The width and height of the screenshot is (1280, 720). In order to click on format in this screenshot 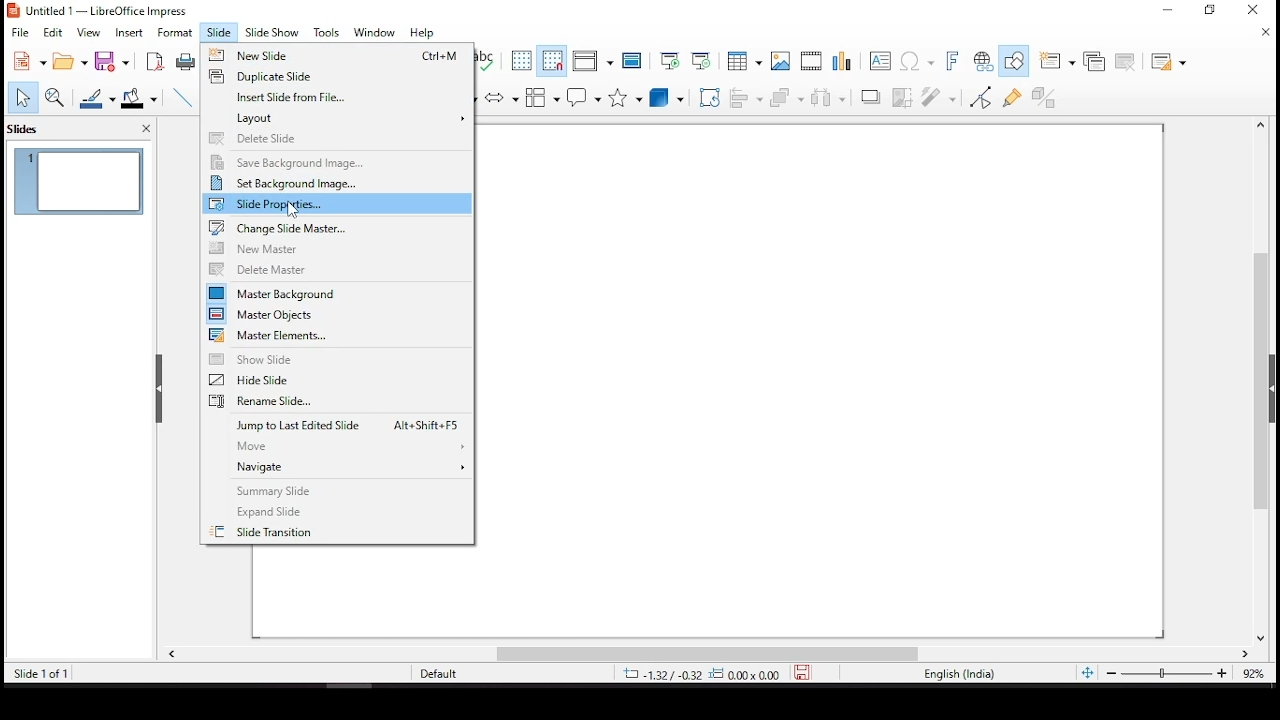, I will do `click(175, 33)`.